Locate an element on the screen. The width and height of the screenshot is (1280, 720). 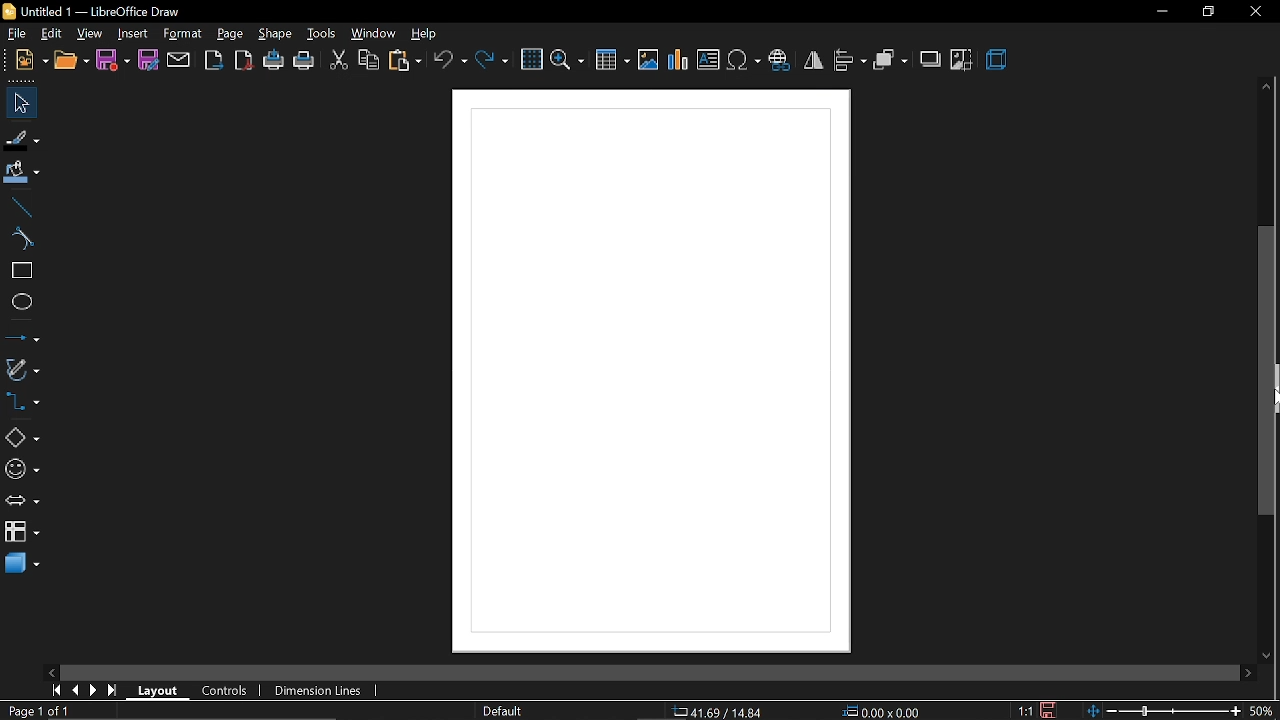
flip is located at coordinates (814, 61).